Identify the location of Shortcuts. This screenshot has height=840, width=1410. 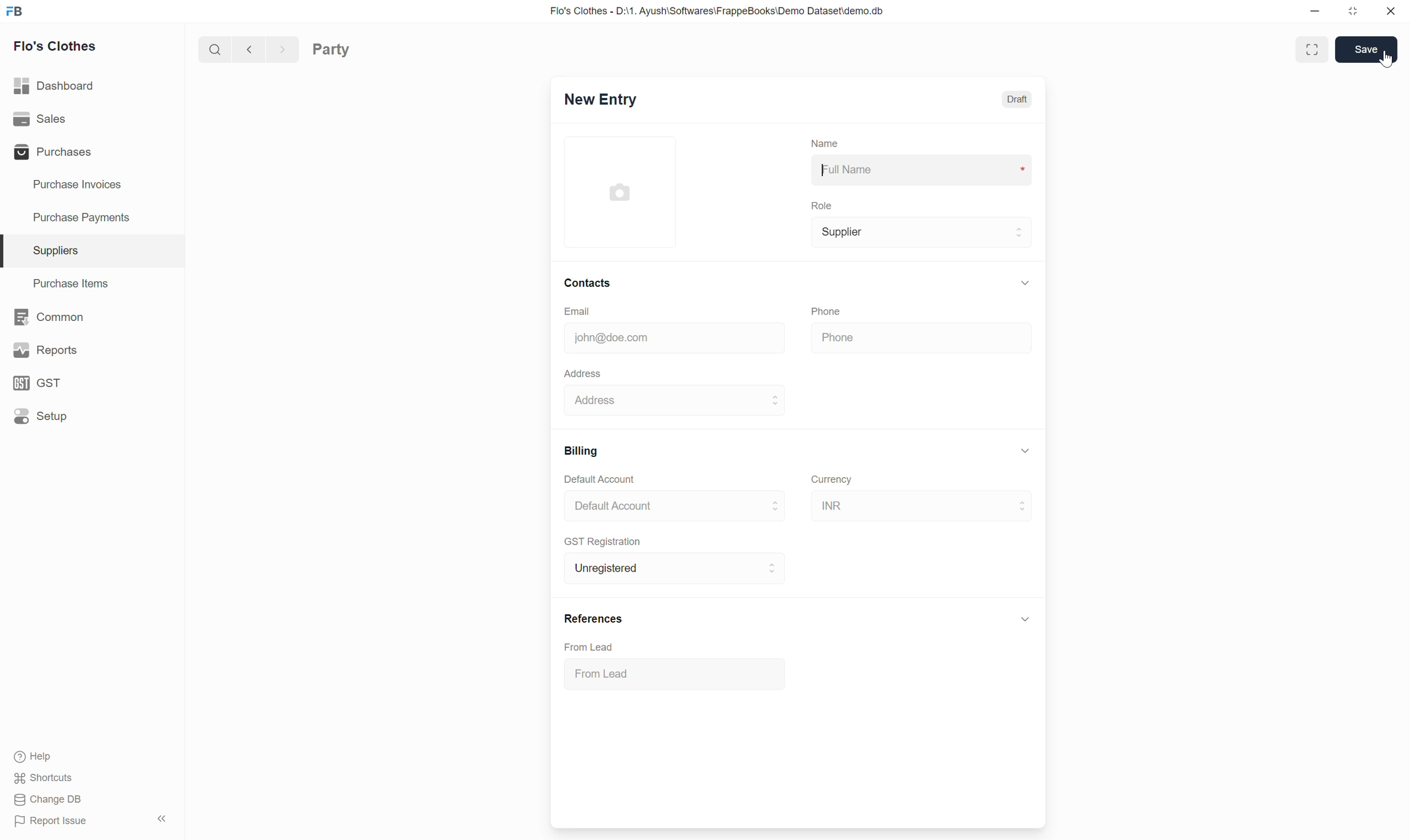
(44, 778).